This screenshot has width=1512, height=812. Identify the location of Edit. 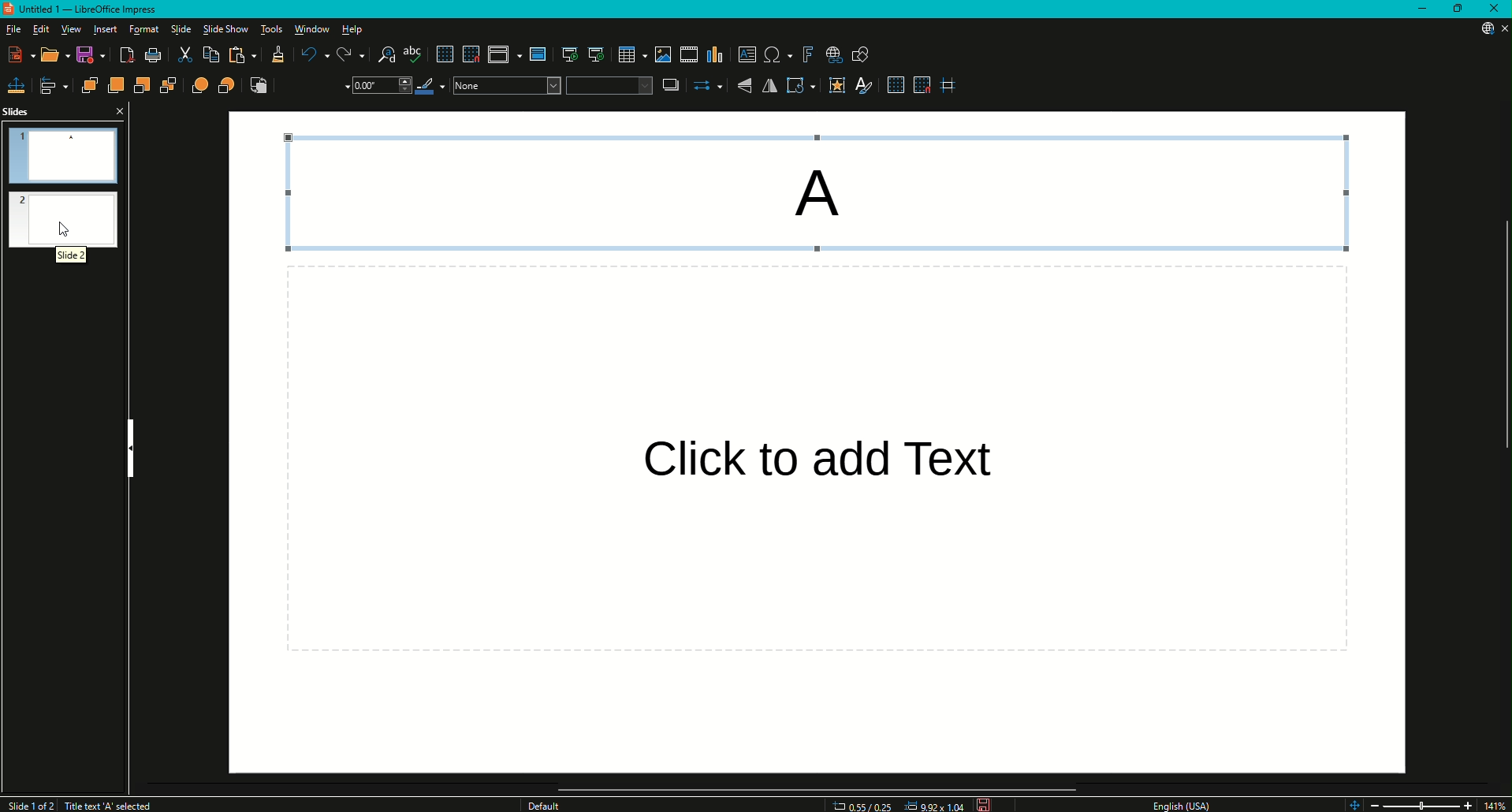
(41, 29).